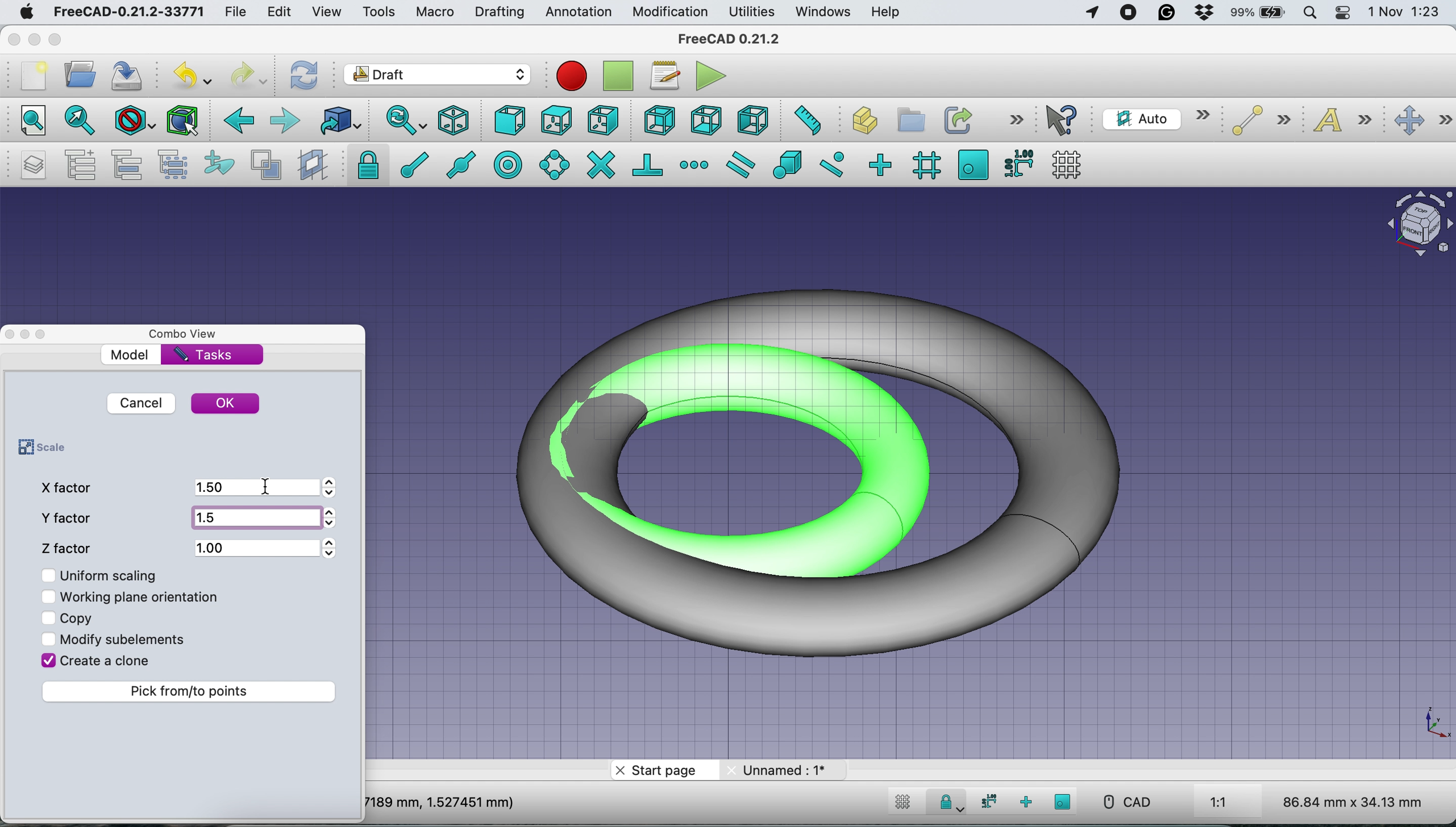  I want to click on bounding box, so click(183, 121).